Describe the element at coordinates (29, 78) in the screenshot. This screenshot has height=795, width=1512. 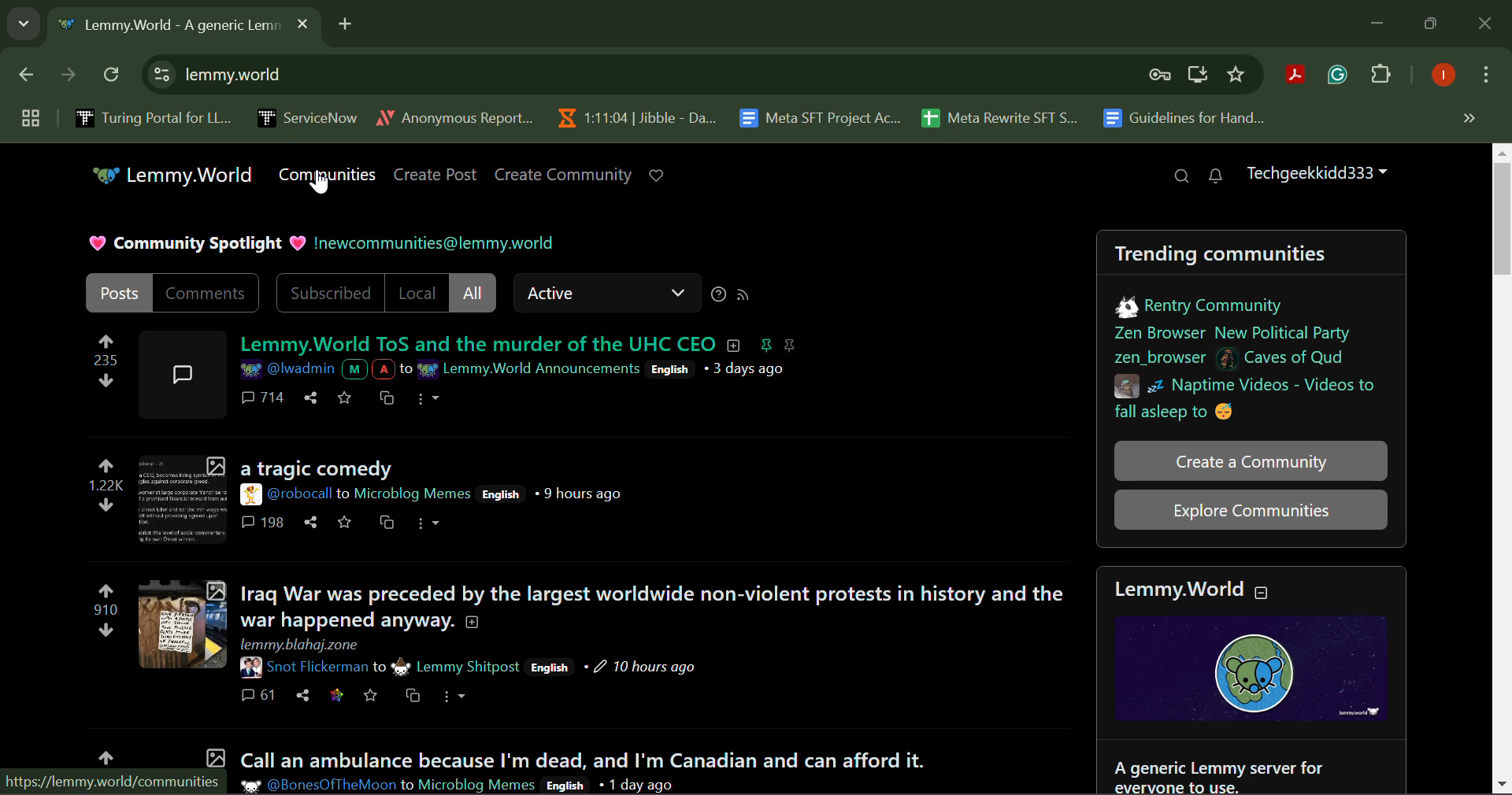
I see `Previous Page` at that location.